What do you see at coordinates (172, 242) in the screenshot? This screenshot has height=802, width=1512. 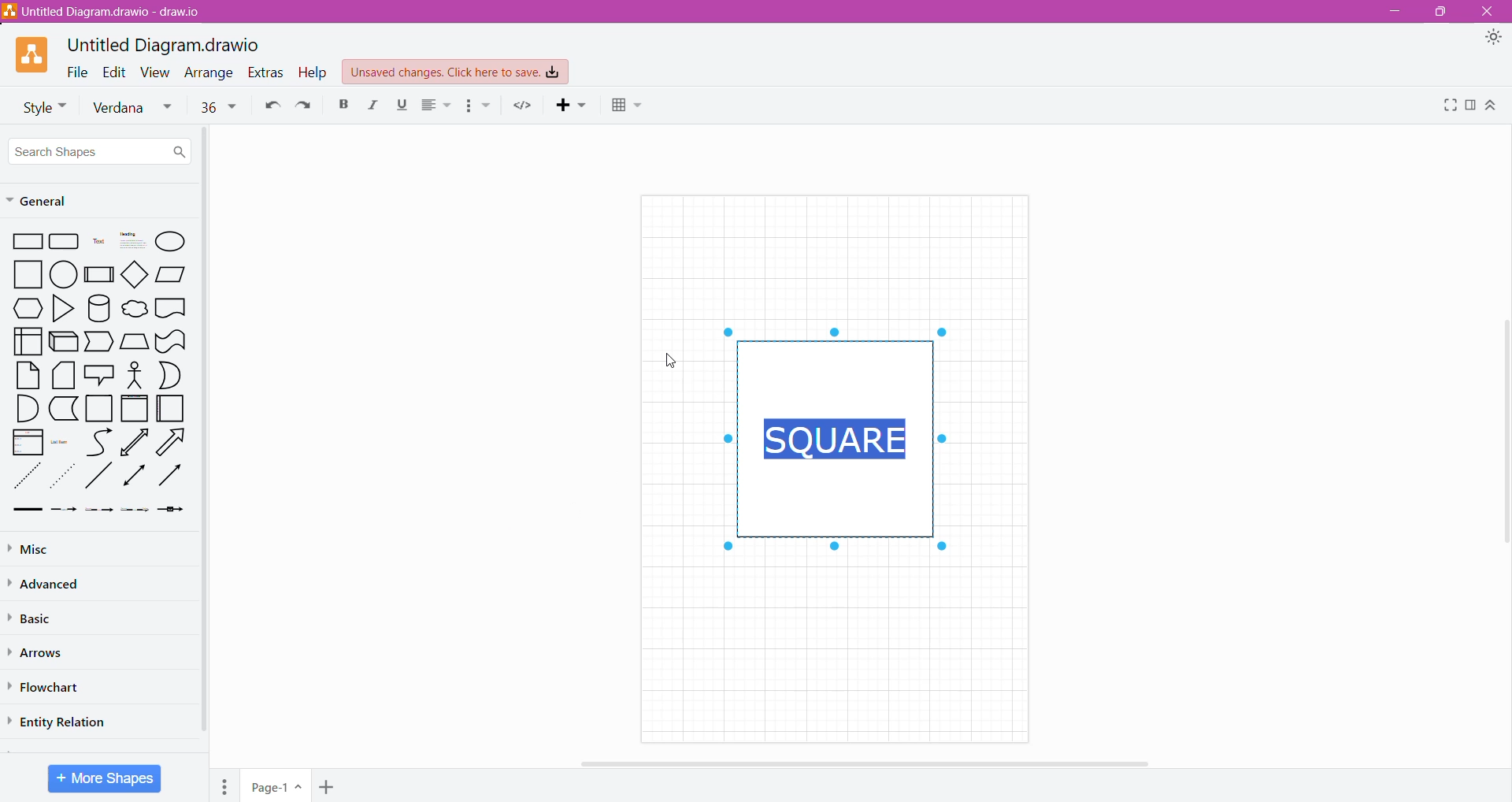 I see `Ellipse` at bounding box center [172, 242].